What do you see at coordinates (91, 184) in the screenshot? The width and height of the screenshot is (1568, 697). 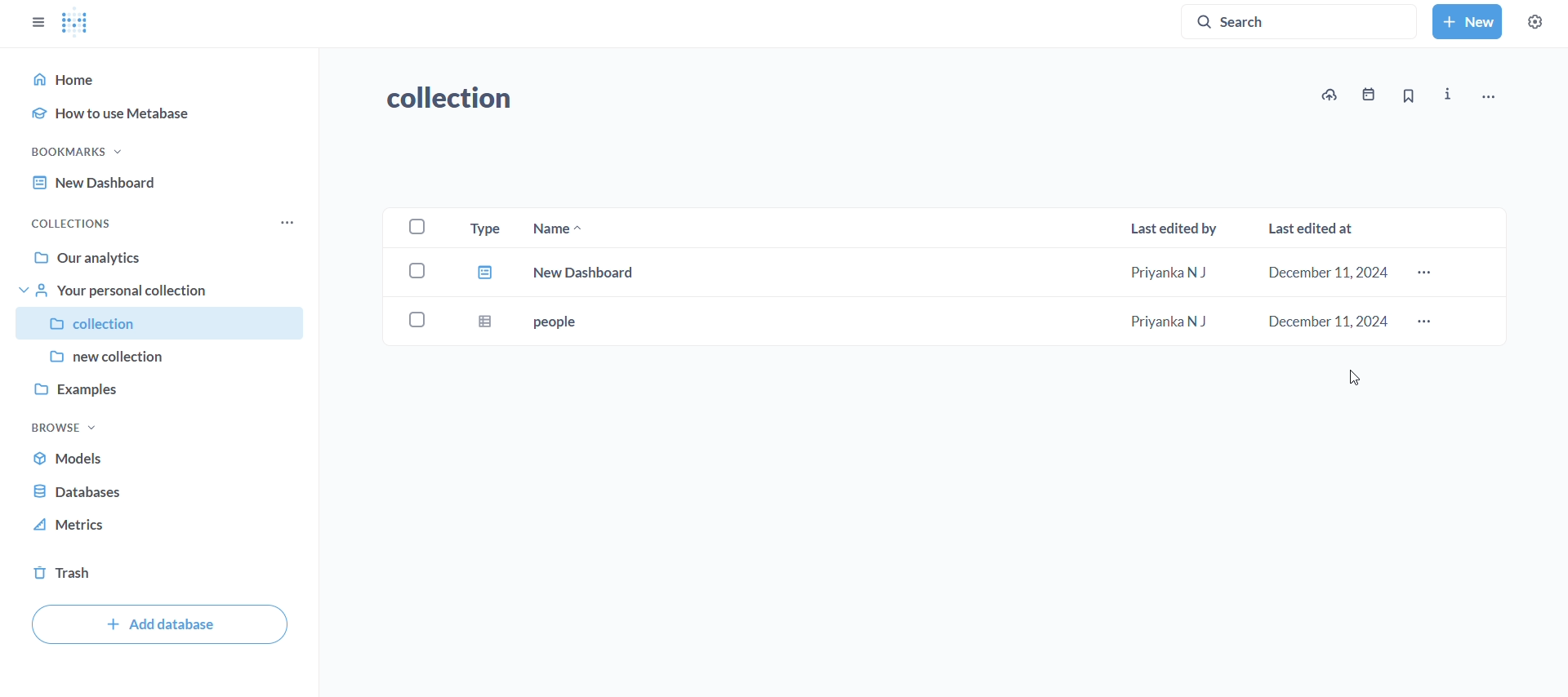 I see `New Dashboard` at bounding box center [91, 184].